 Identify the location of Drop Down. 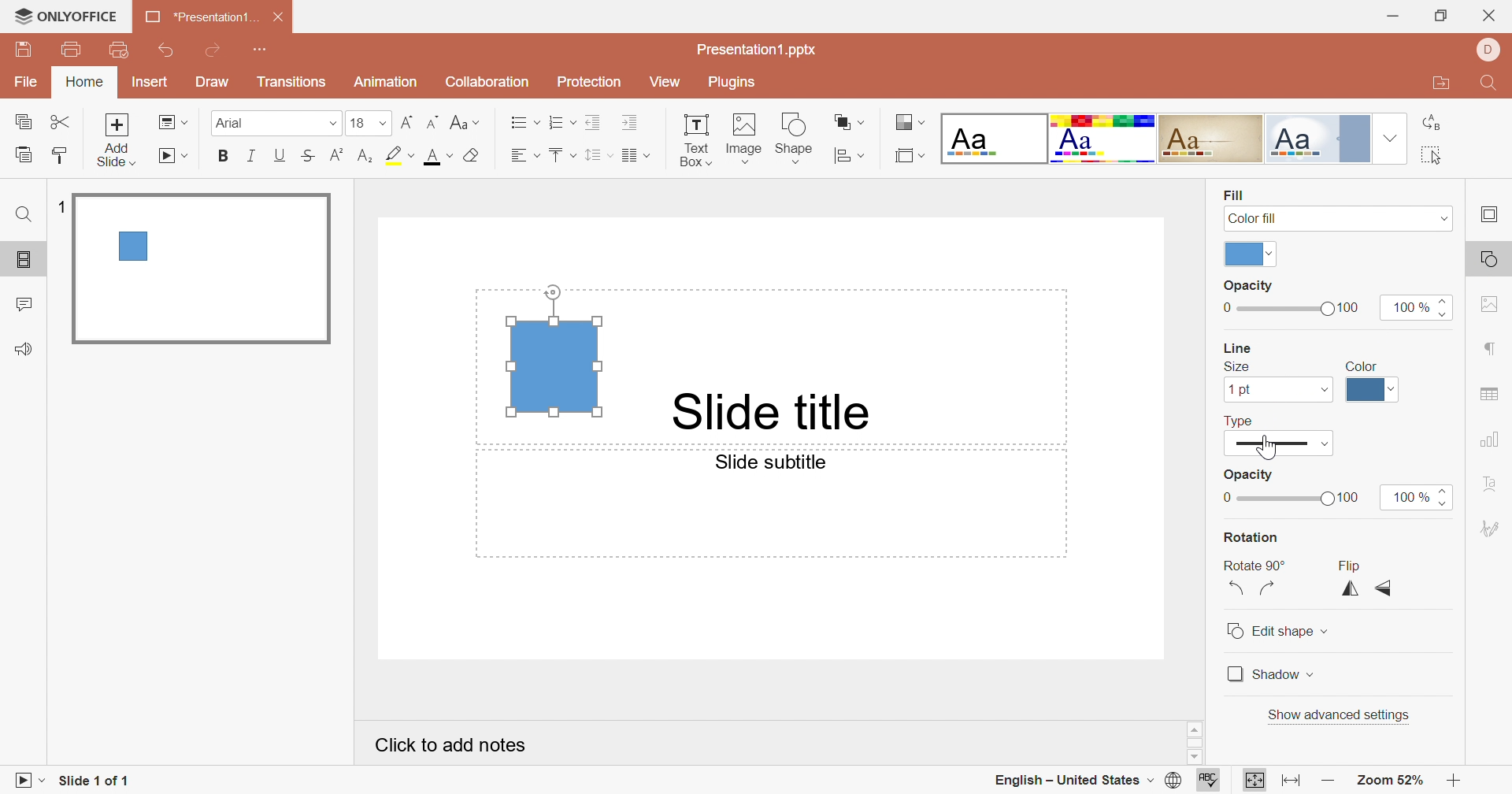
(1440, 217).